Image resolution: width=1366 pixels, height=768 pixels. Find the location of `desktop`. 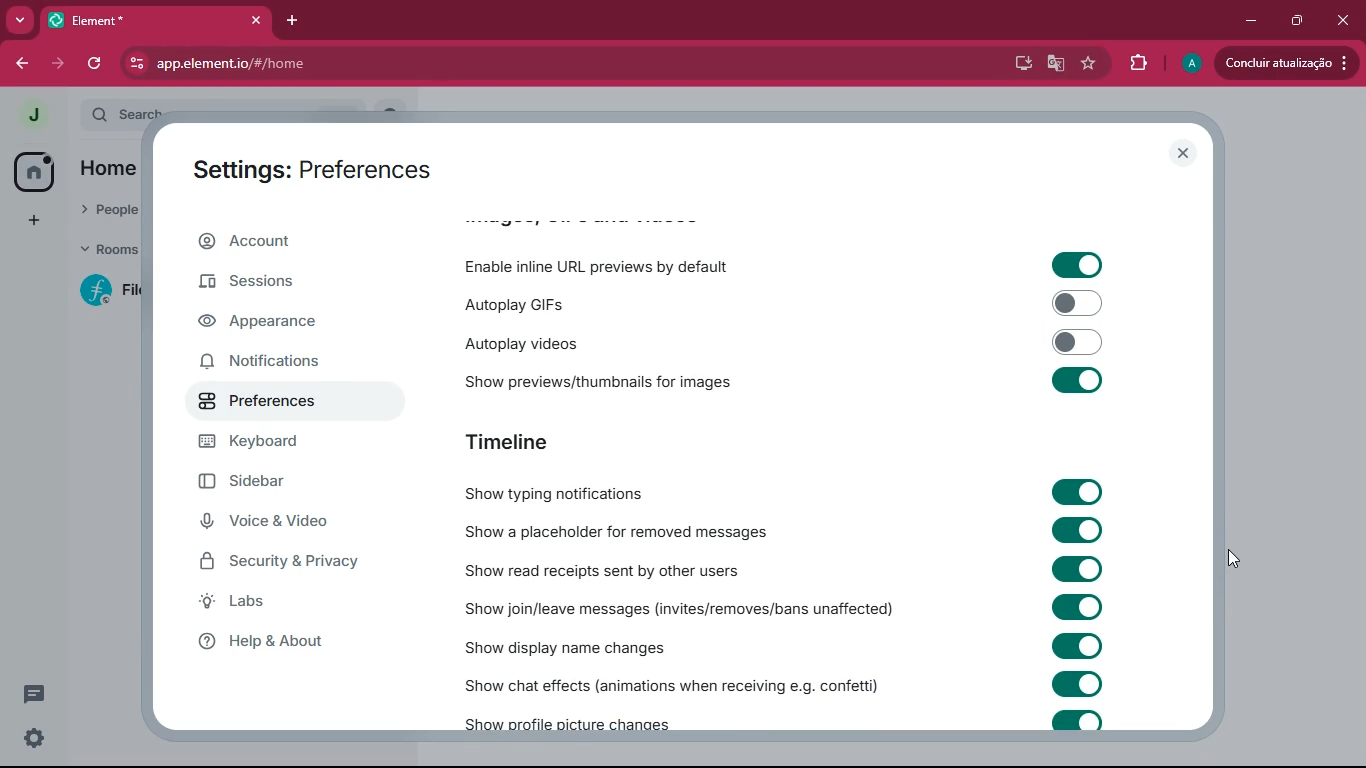

desktop is located at coordinates (1021, 64).